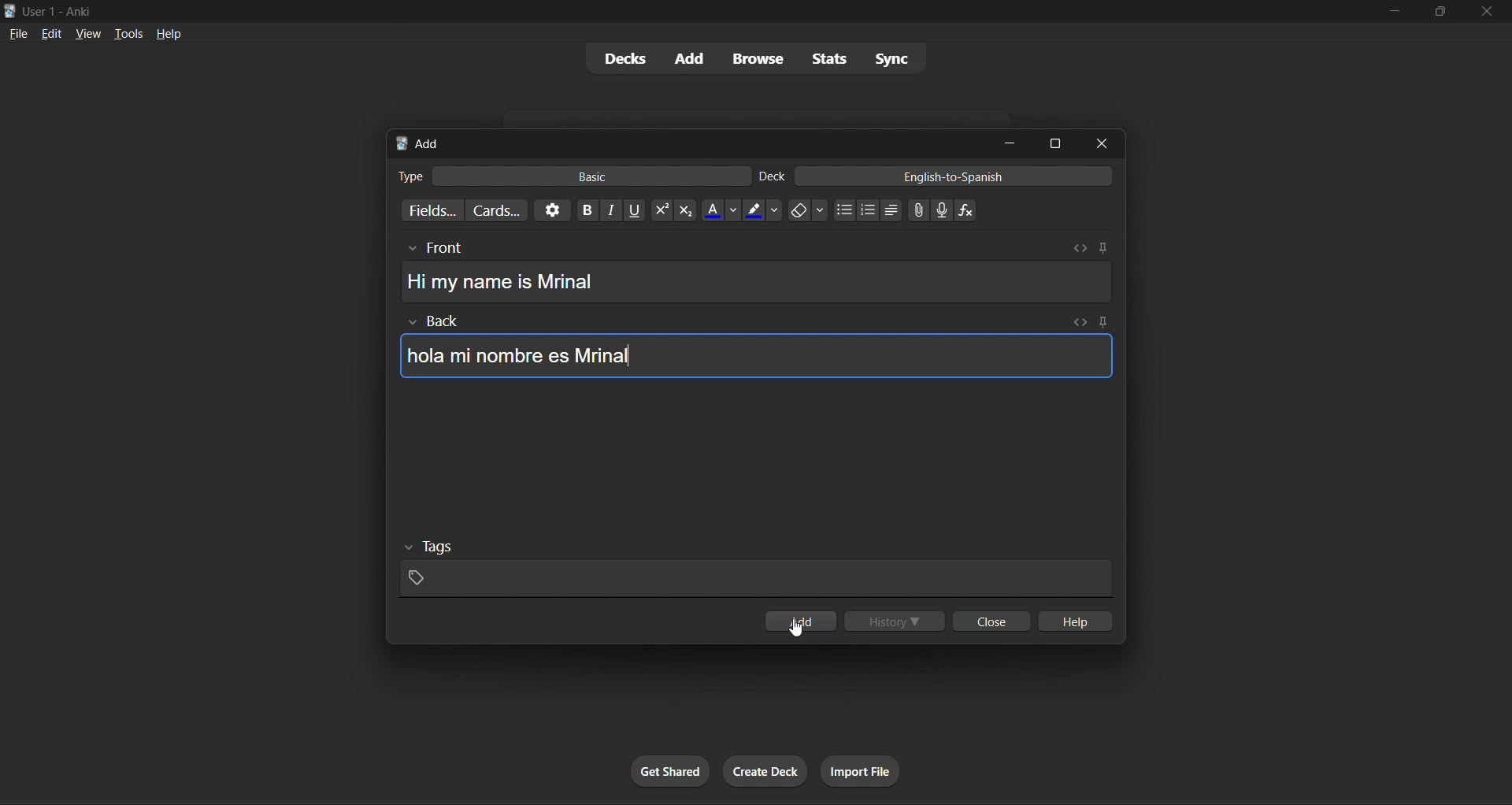 The width and height of the screenshot is (1512, 805). What do you see at coordinates (891, 59) in the screenshot?
I see `sync` at bounding box center [891, 59].